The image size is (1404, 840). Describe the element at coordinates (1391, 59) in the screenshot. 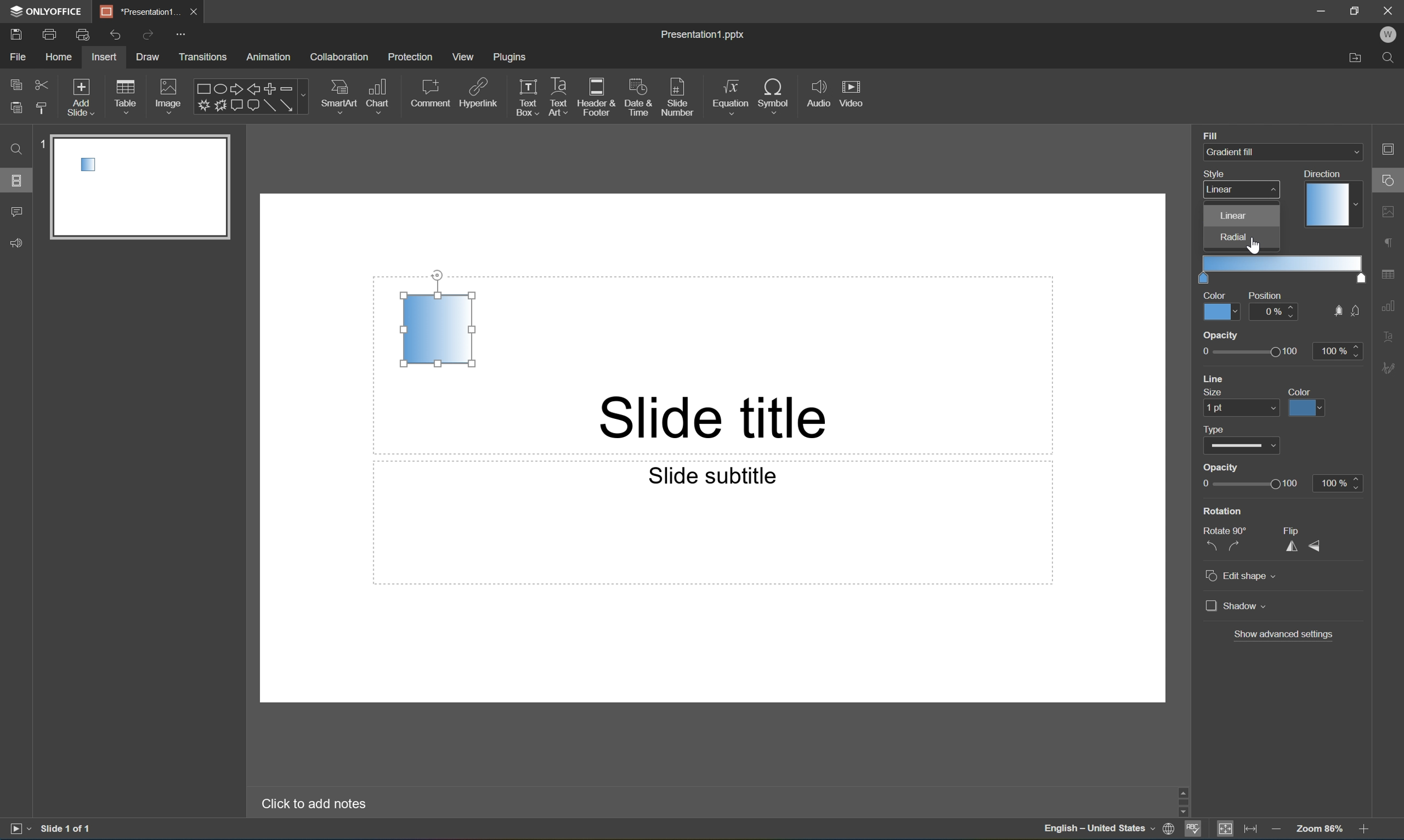

I see `Find` at that location.